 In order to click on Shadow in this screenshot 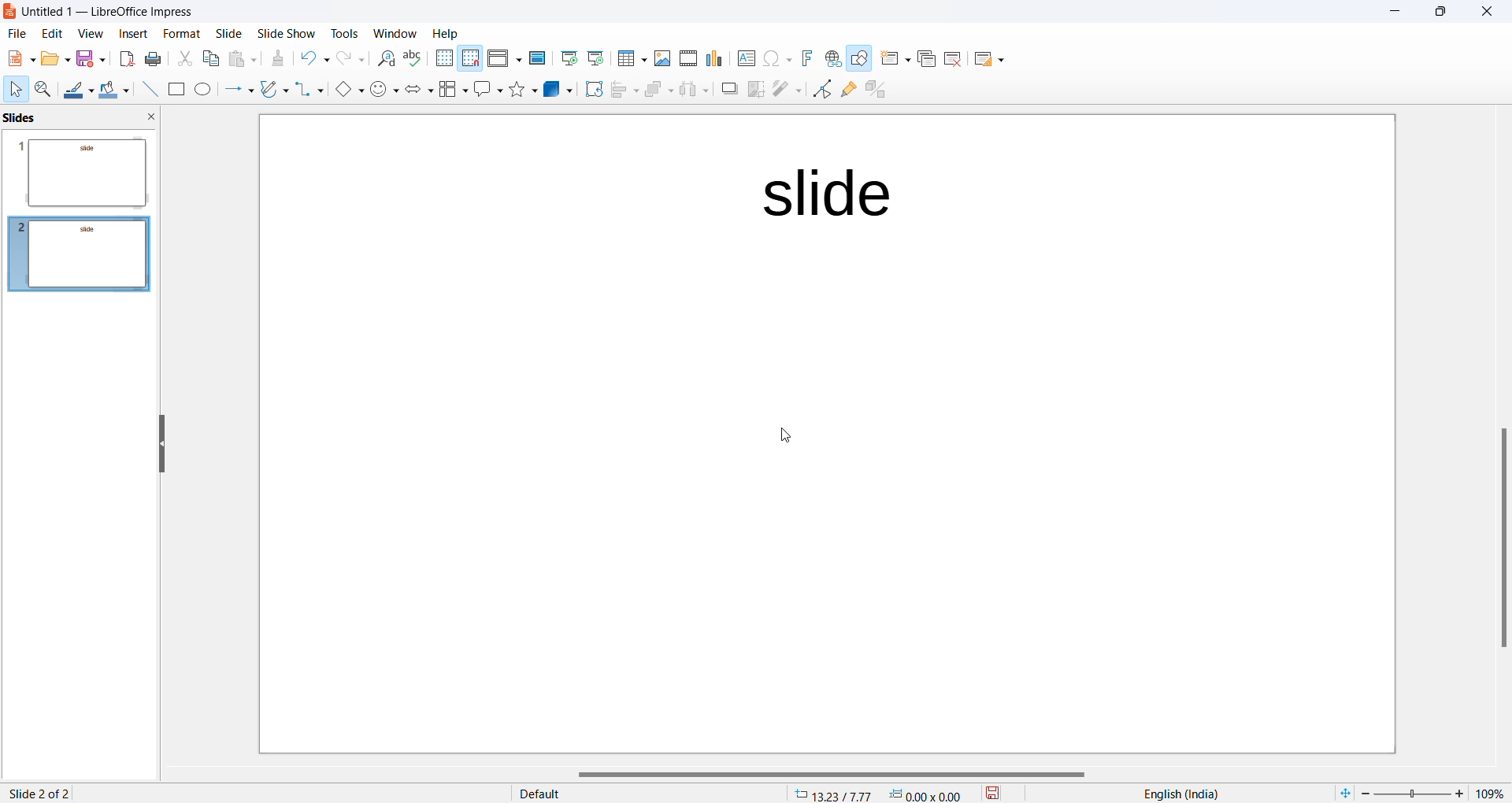, I will do `click(724, 90)`.